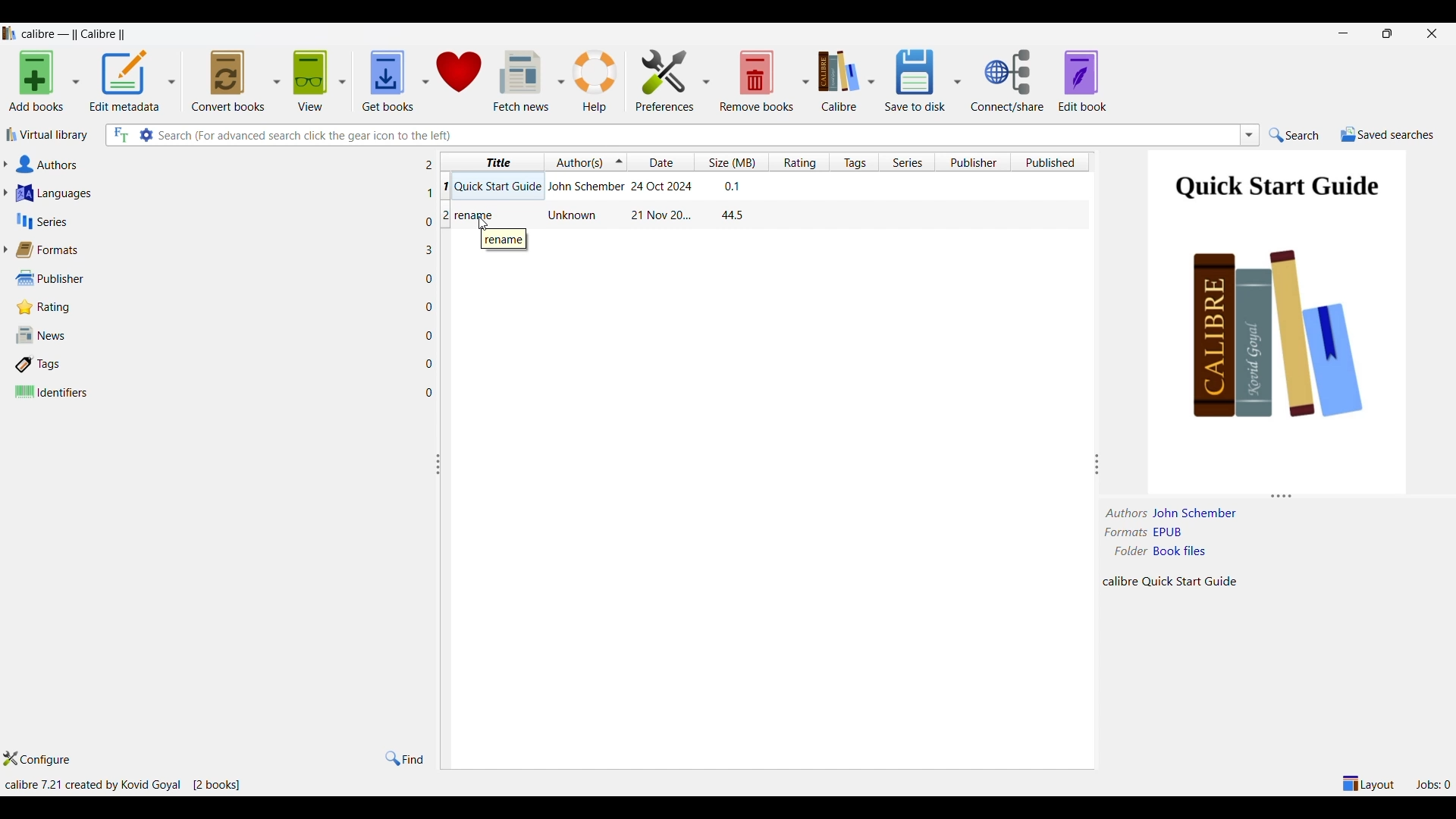 The width and height of the screenshot is (1456, 819). What do you see at coordinates (1082, 81) in the screenshot?
I see `Edit book` at bounding box center [1082, 81].